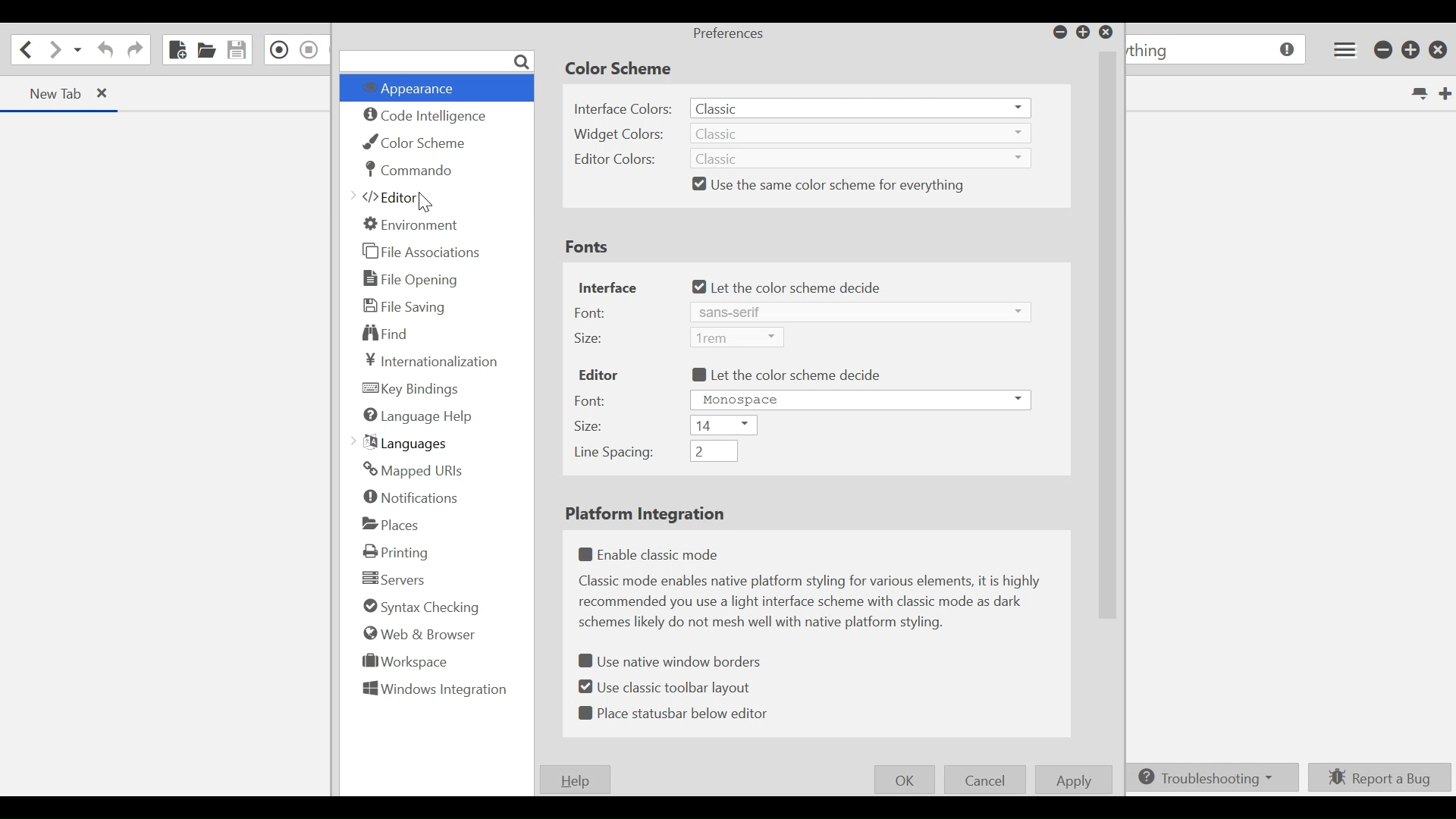 The height and width of the screenshot is (819, 1456). What do you see at coordinates (985, 779) in the screenshot?
I see `Cancel` at bounding box center [985, 779].